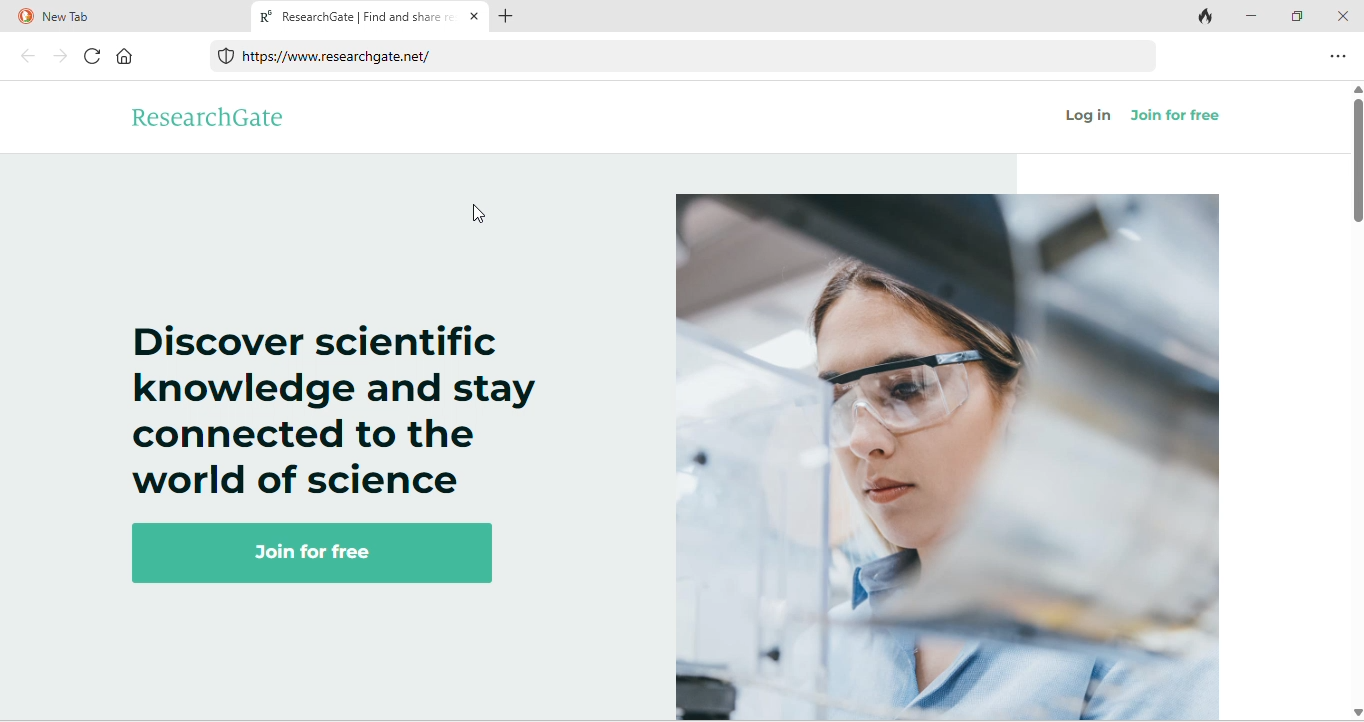  I want to click on cursor, so click(483, 216).